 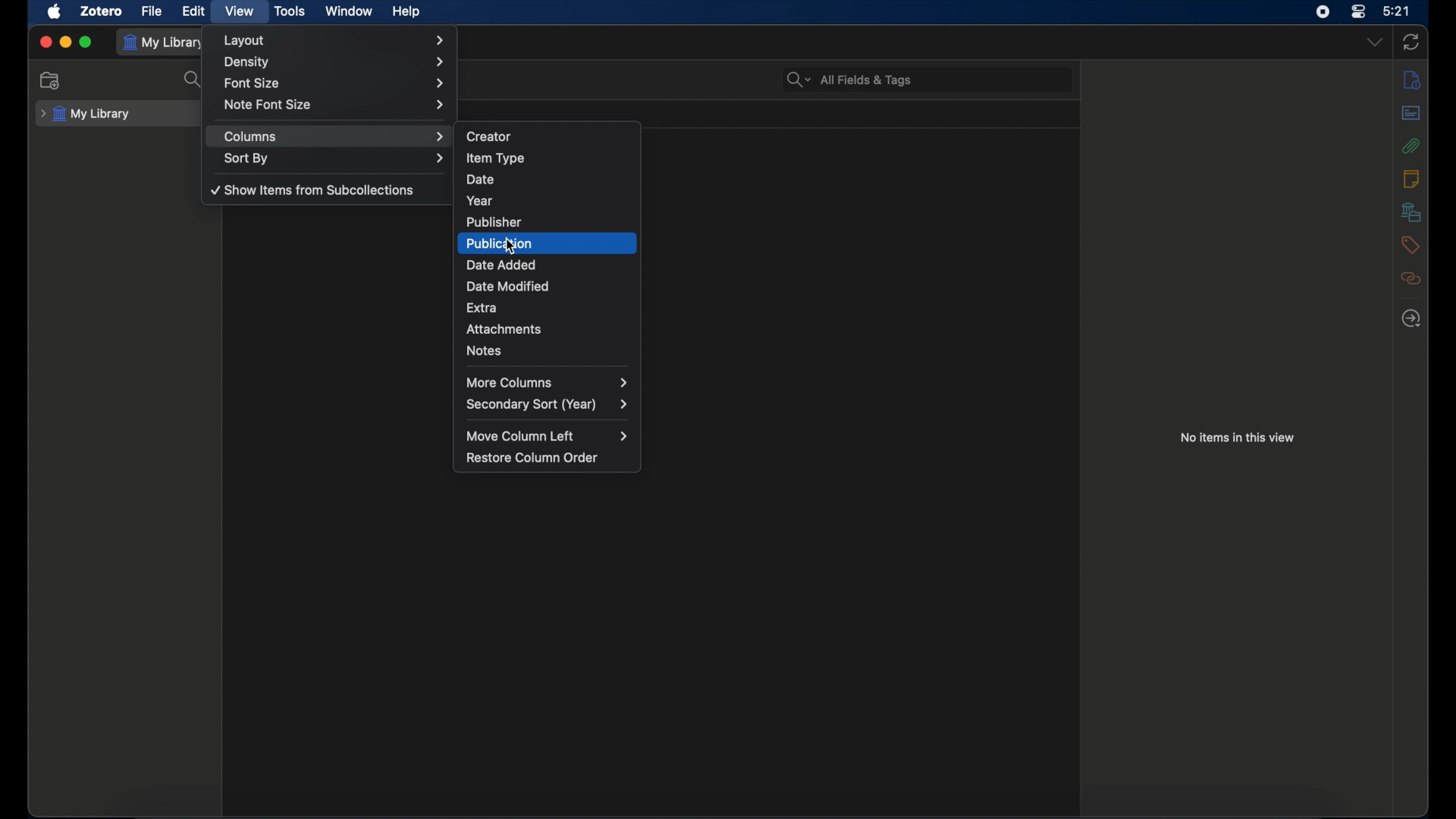 I want to click on maximize, so click(x=86, y=42).